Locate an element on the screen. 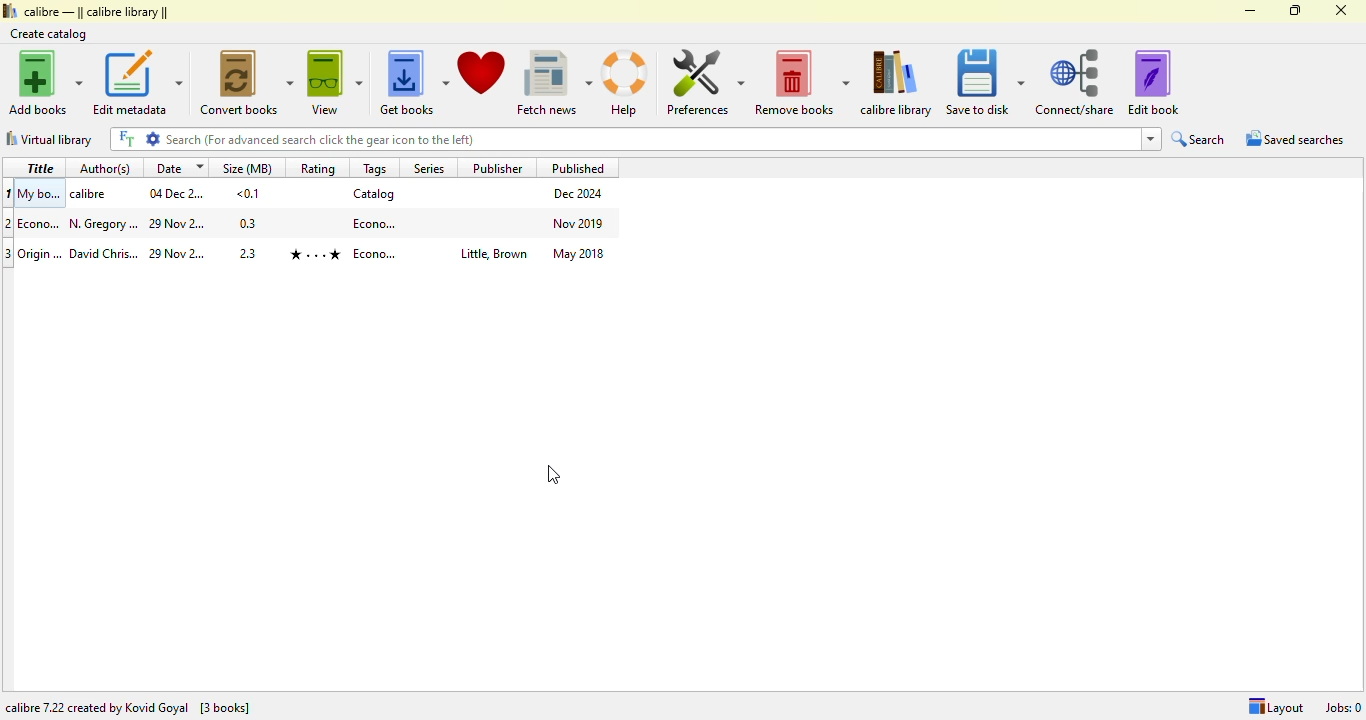  title is located at coordinates (40, 168).